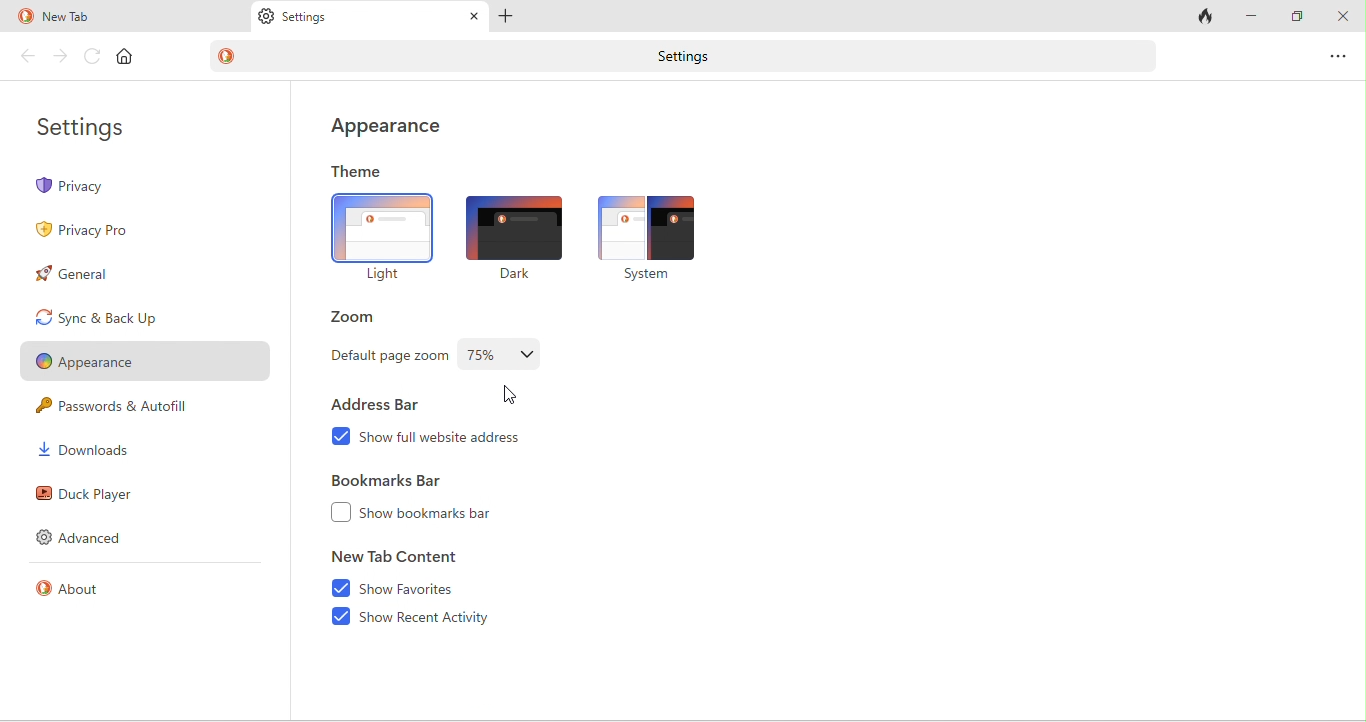  I want to click on general, so click(102, 275).